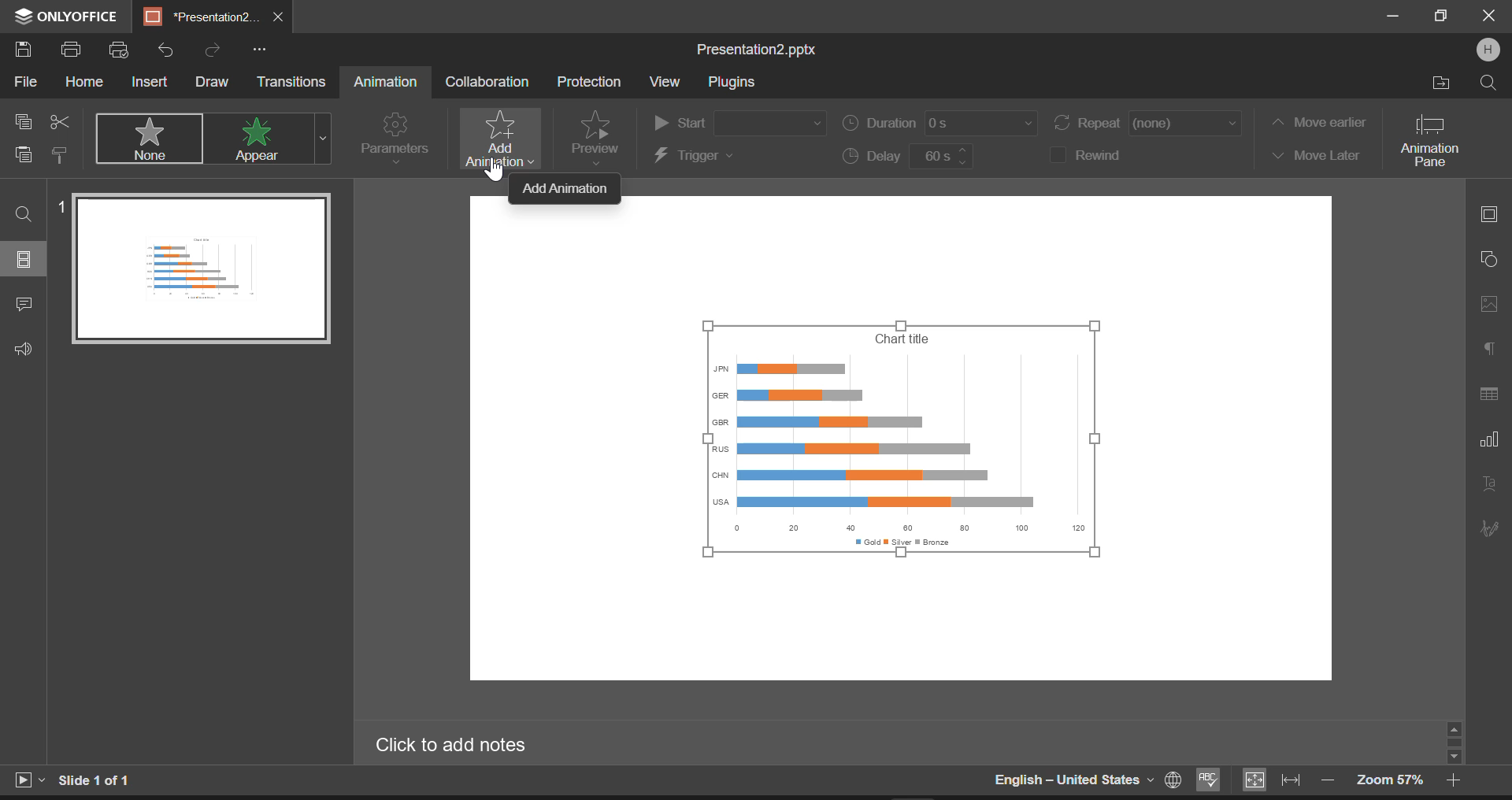 This screenshot has height=800, width=1512. Describe the element at coordinates (24, 85) in the screenshot. I see `File` at that location.